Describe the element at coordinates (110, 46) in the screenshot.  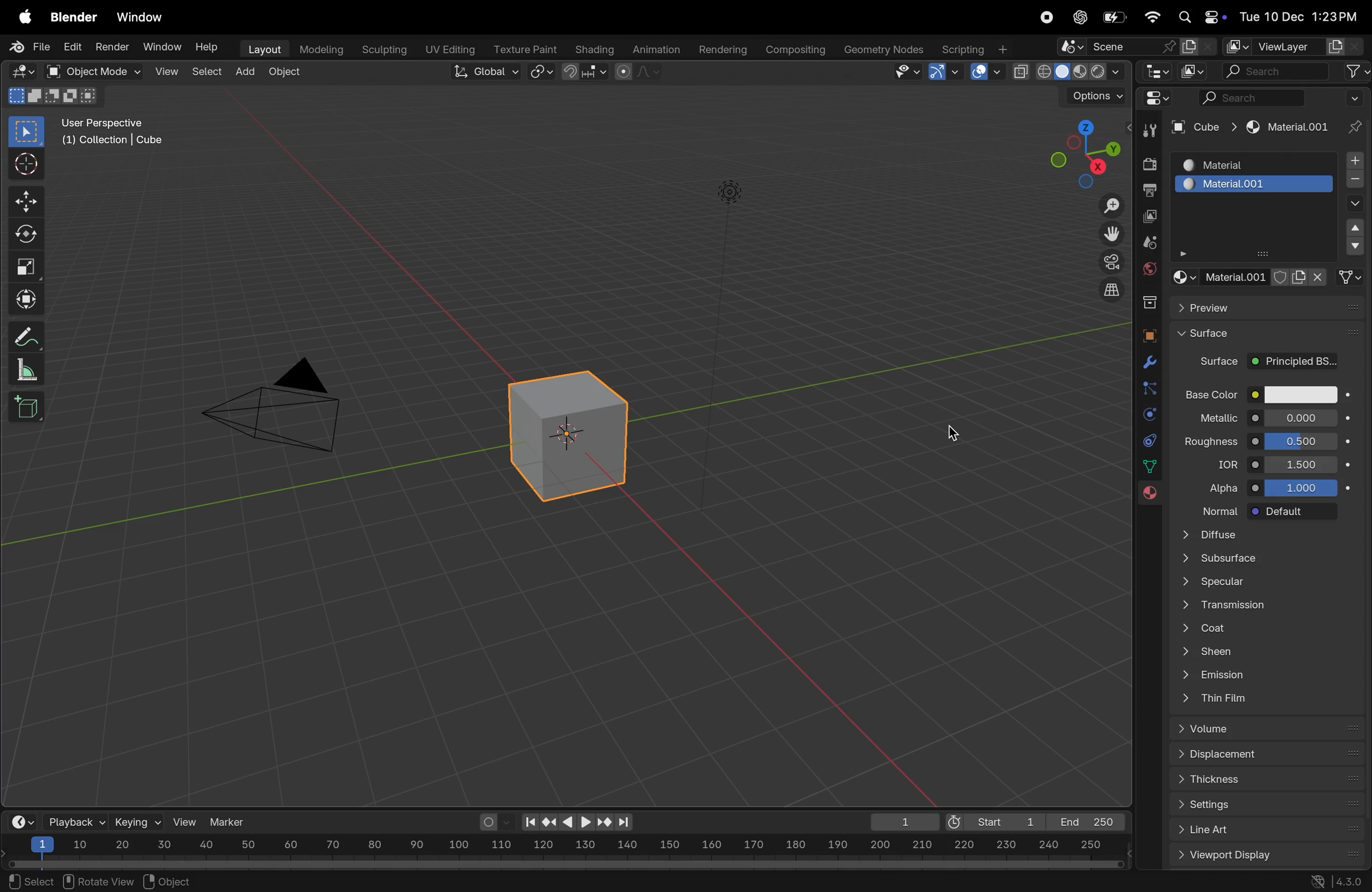
I see `render` at that location.